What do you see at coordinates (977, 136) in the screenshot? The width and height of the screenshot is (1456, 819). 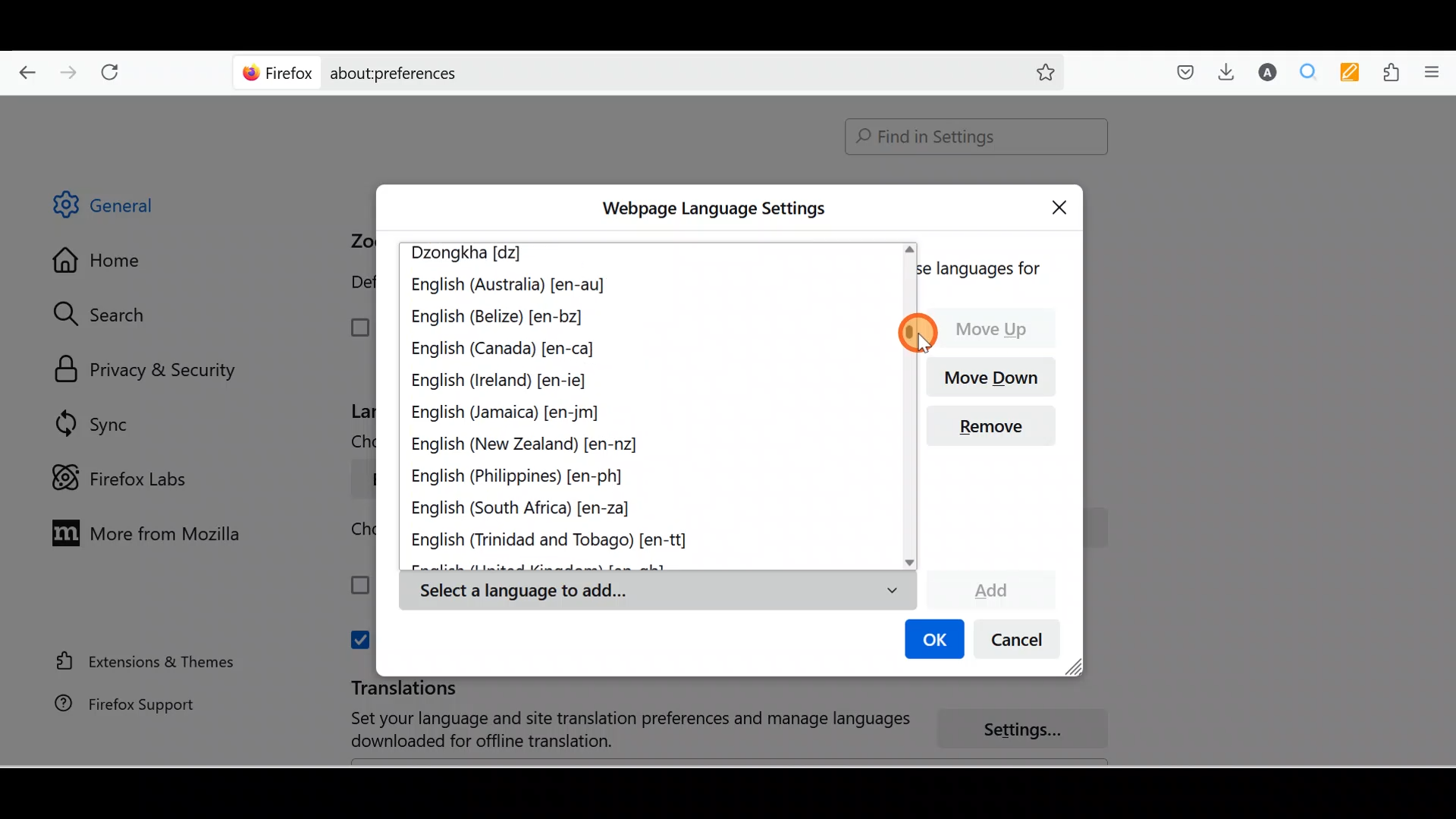 I see `Find in Settings` at bounding box center [977, 136].